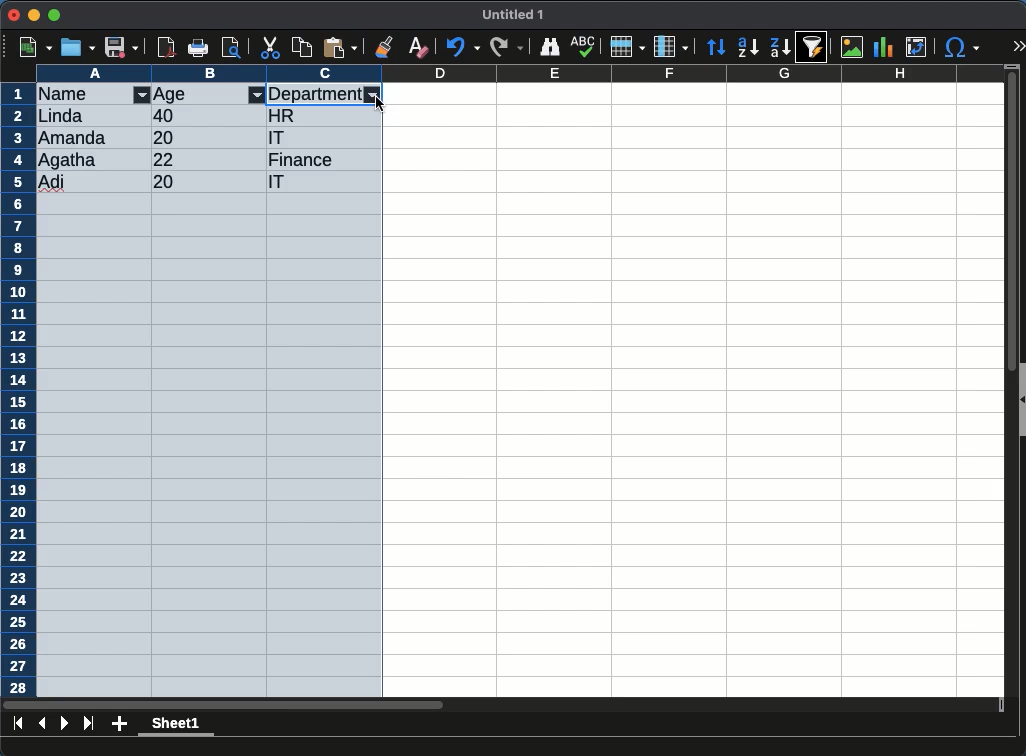 This screenshot has height=756, width=1026. Describe the element at coordinates (283, 115) in the screenshot. I see `hr` at that location.